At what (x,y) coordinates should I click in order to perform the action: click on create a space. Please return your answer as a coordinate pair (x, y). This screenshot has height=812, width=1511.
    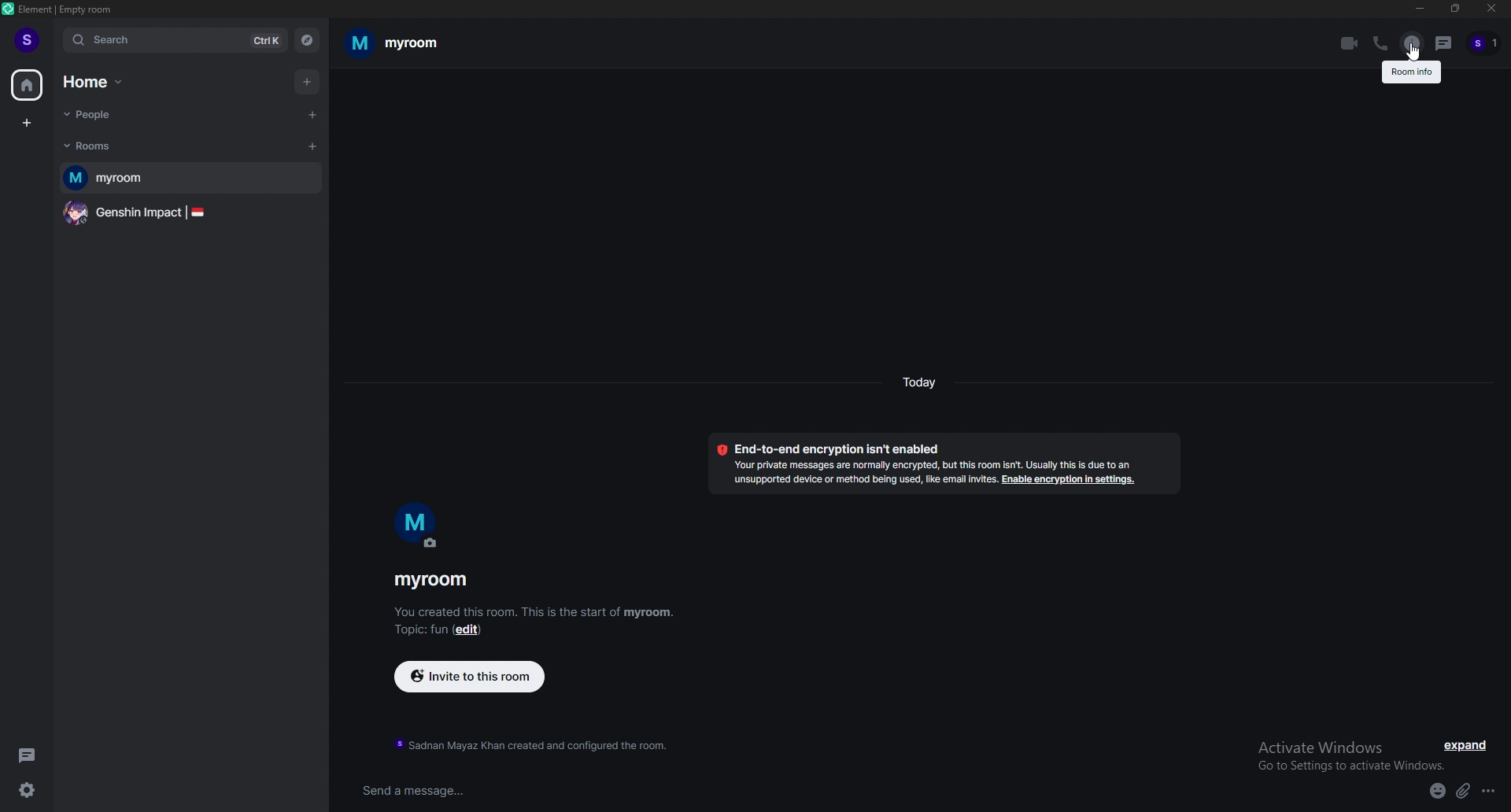
    Looking at the image, I should click on (25, 125).